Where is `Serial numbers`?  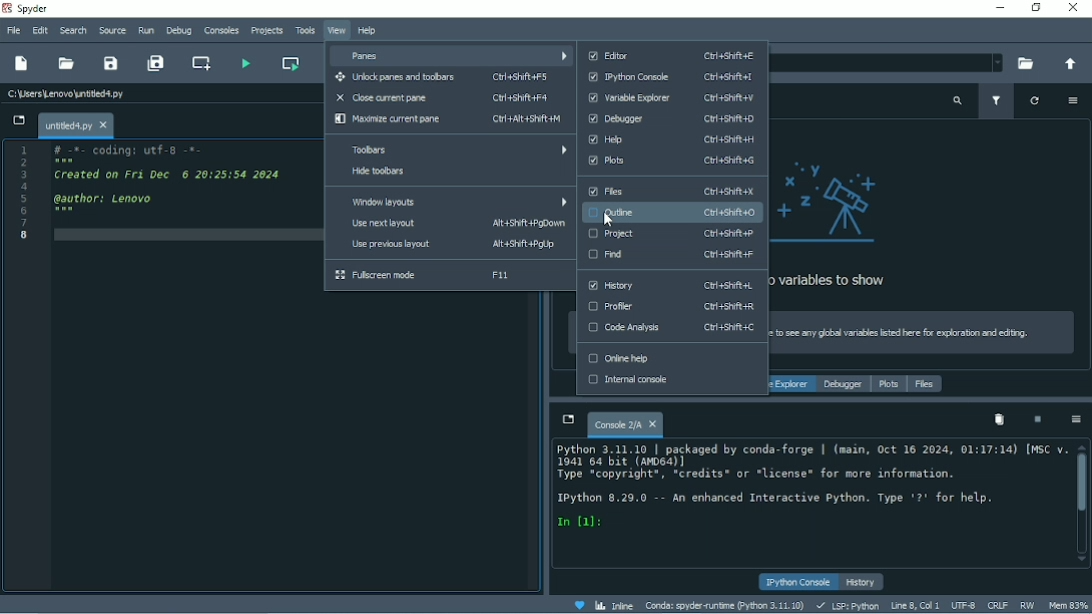 Serial numbers is located at coordinates (25, 192).